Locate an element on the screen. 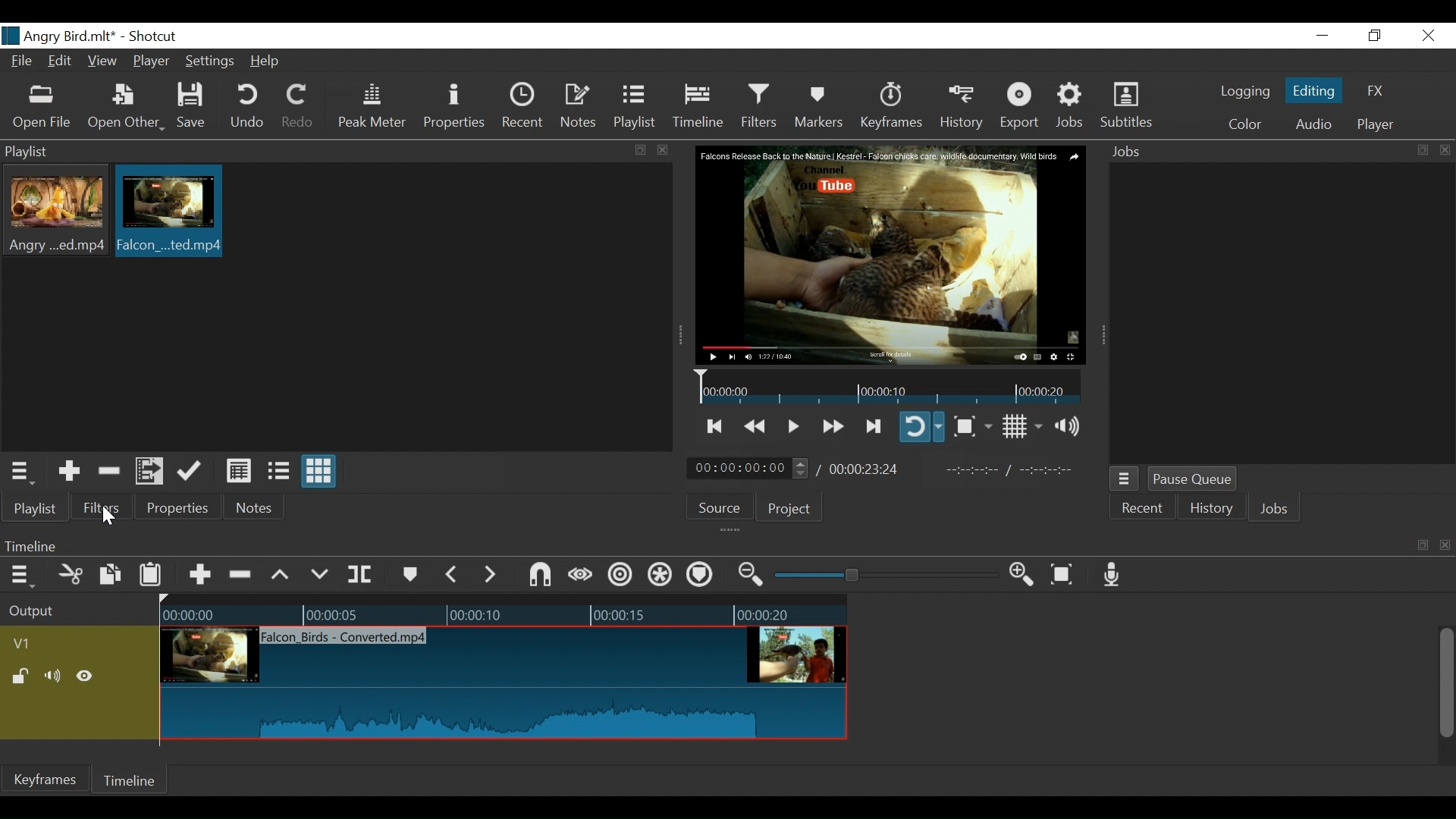 This screenshot has height=819, width=1456. Ripple all tracks is located at coordinates (699, 576).